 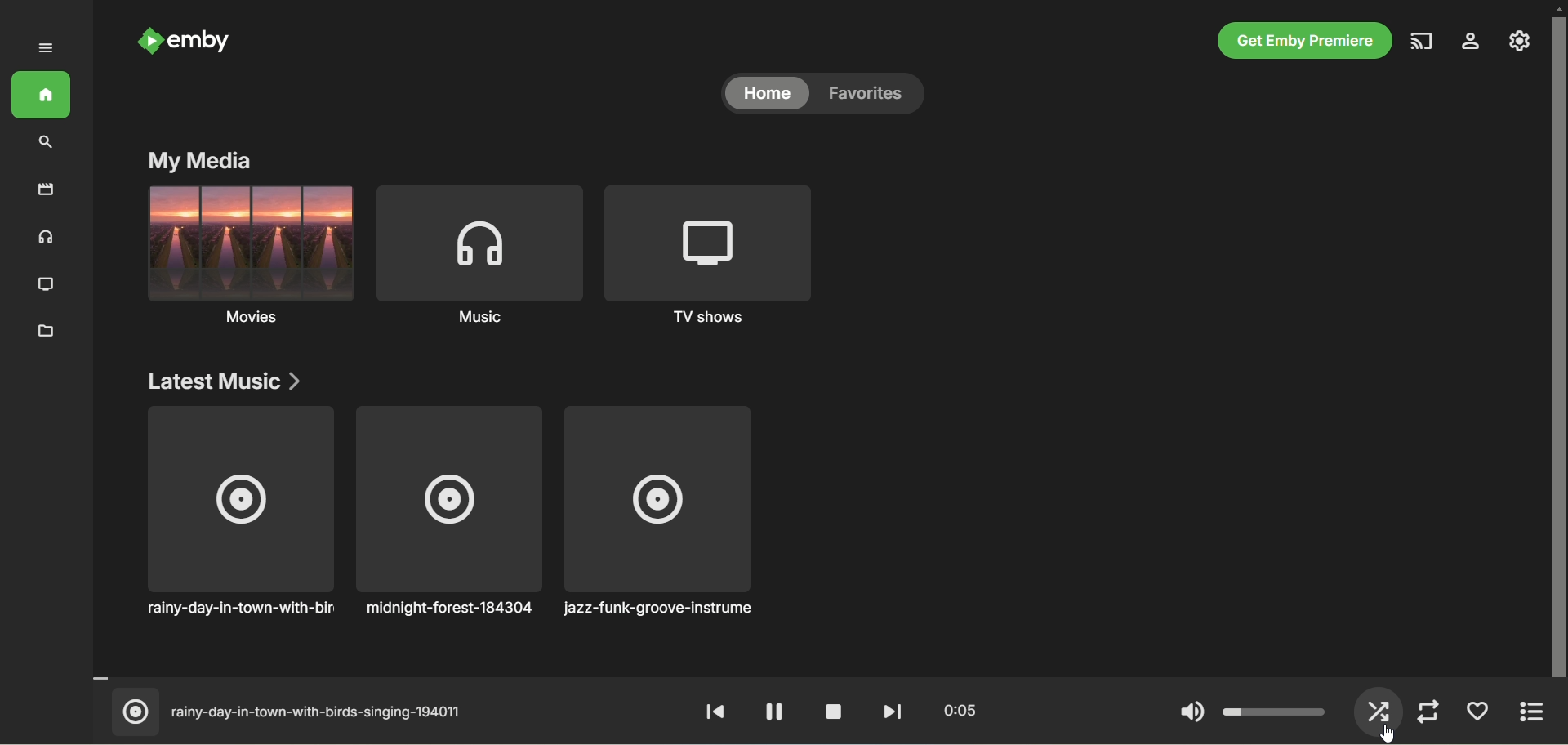 I want to click on manage emby server, so click(x=1521, y=43).